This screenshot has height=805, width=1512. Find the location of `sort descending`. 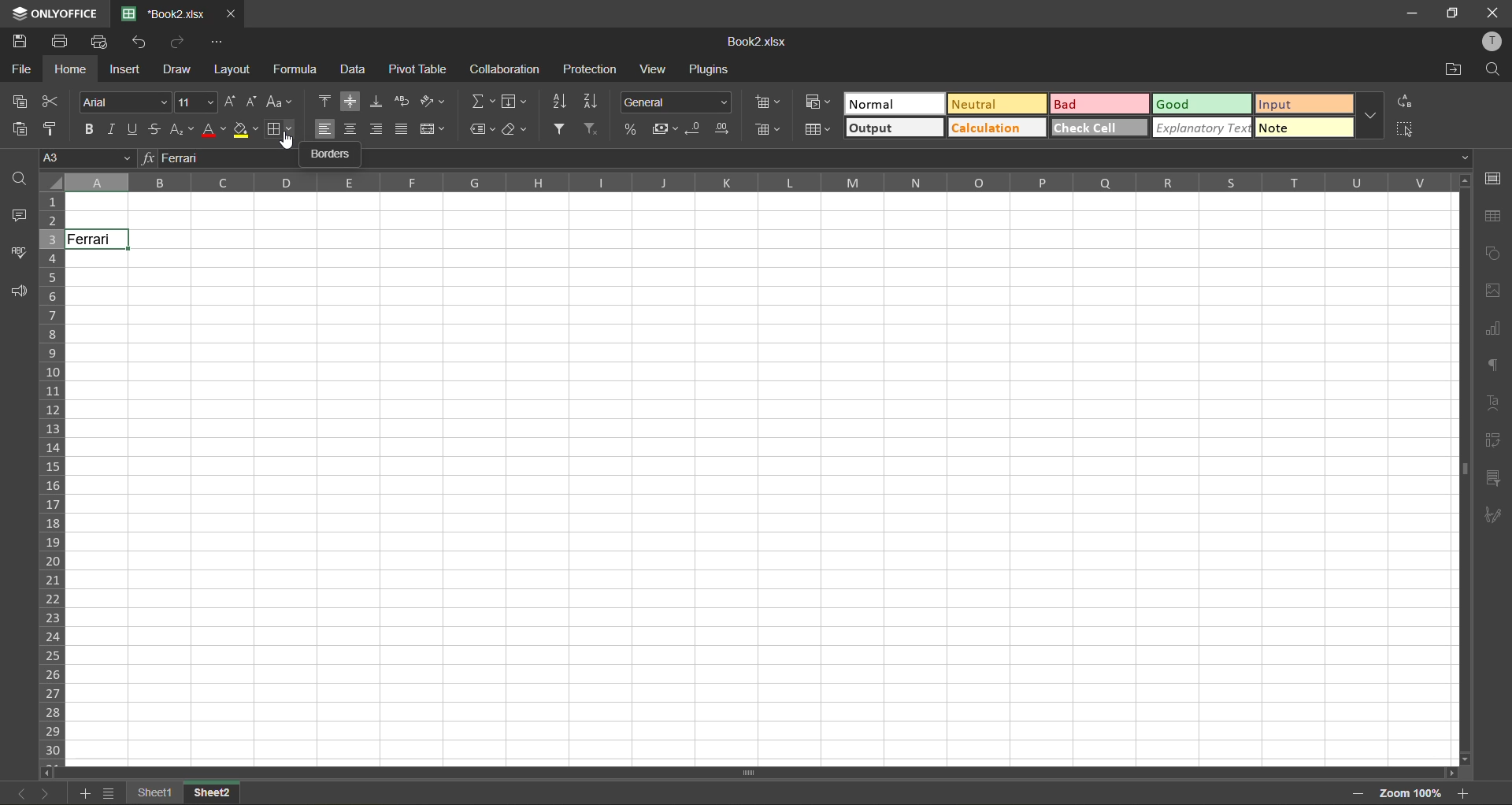

sort descending is located at coordinates (595, 102).